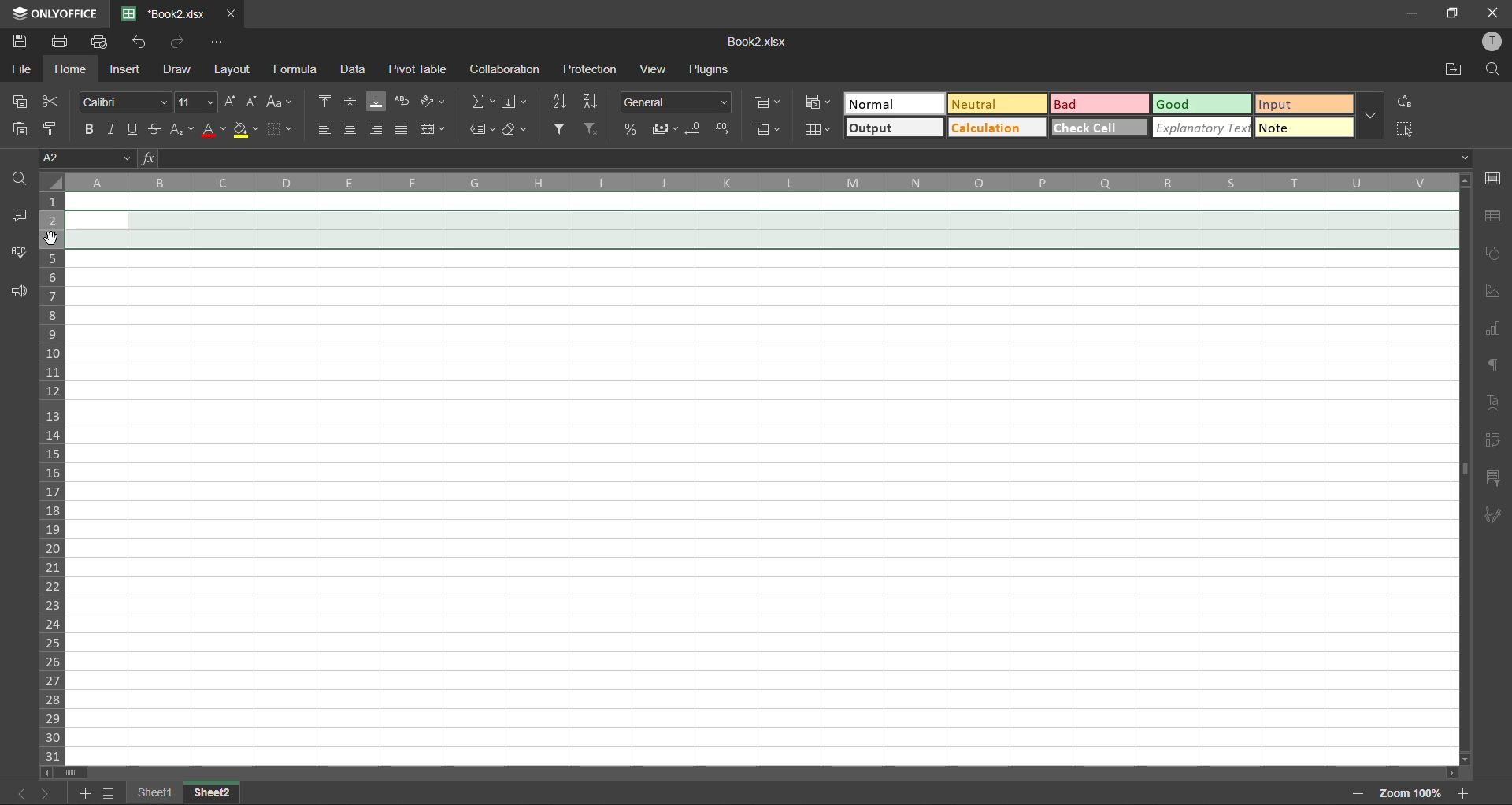  What do you see at coordinates (88, 159) in the screenshot?
I see `cell address` at bounding box center [88, 159].